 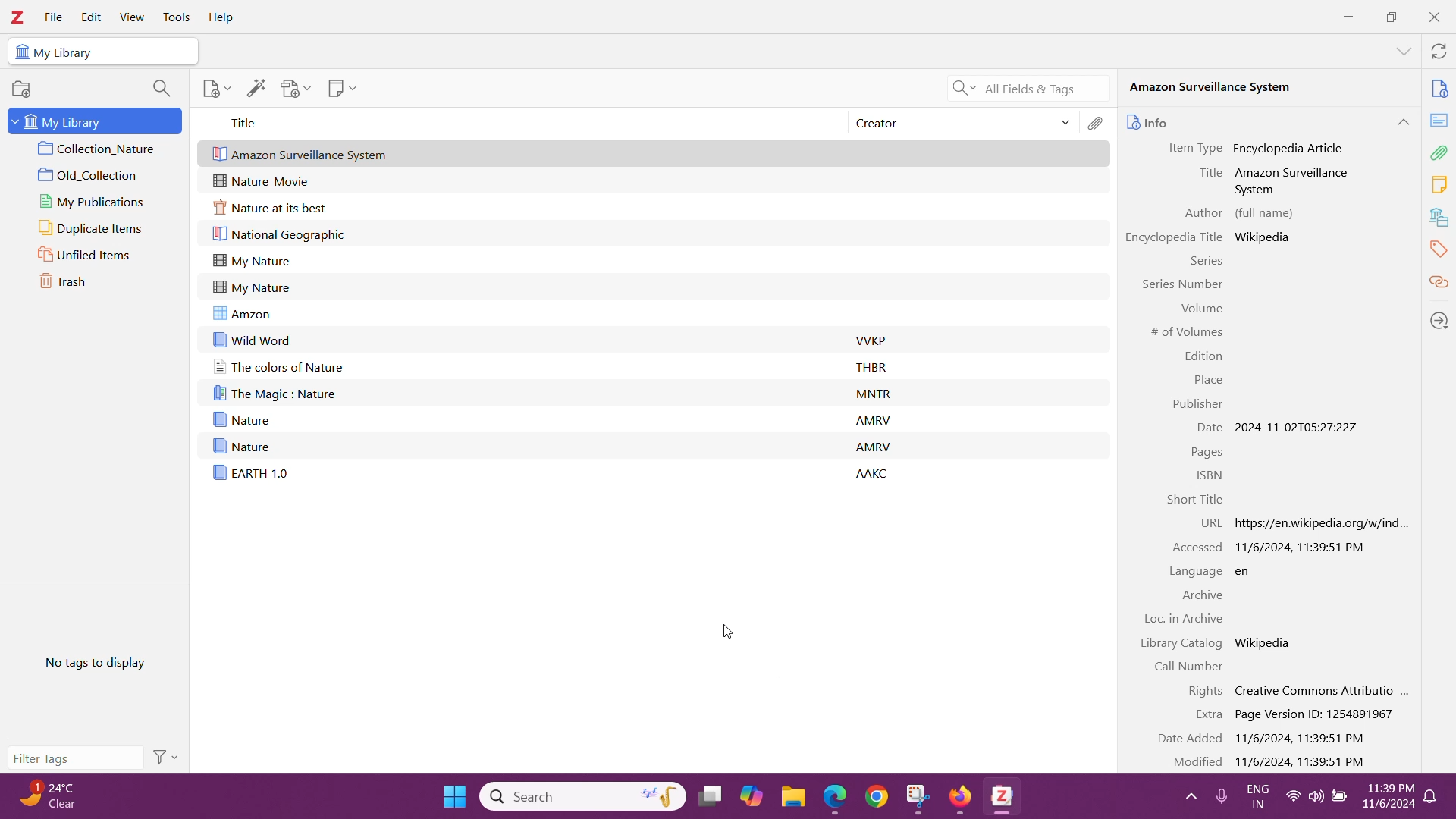 What do you see at coordinates (1217, 86) in the screenshot?
I see `Amazon Surveillance System ` at bounding box center [1217, 86].